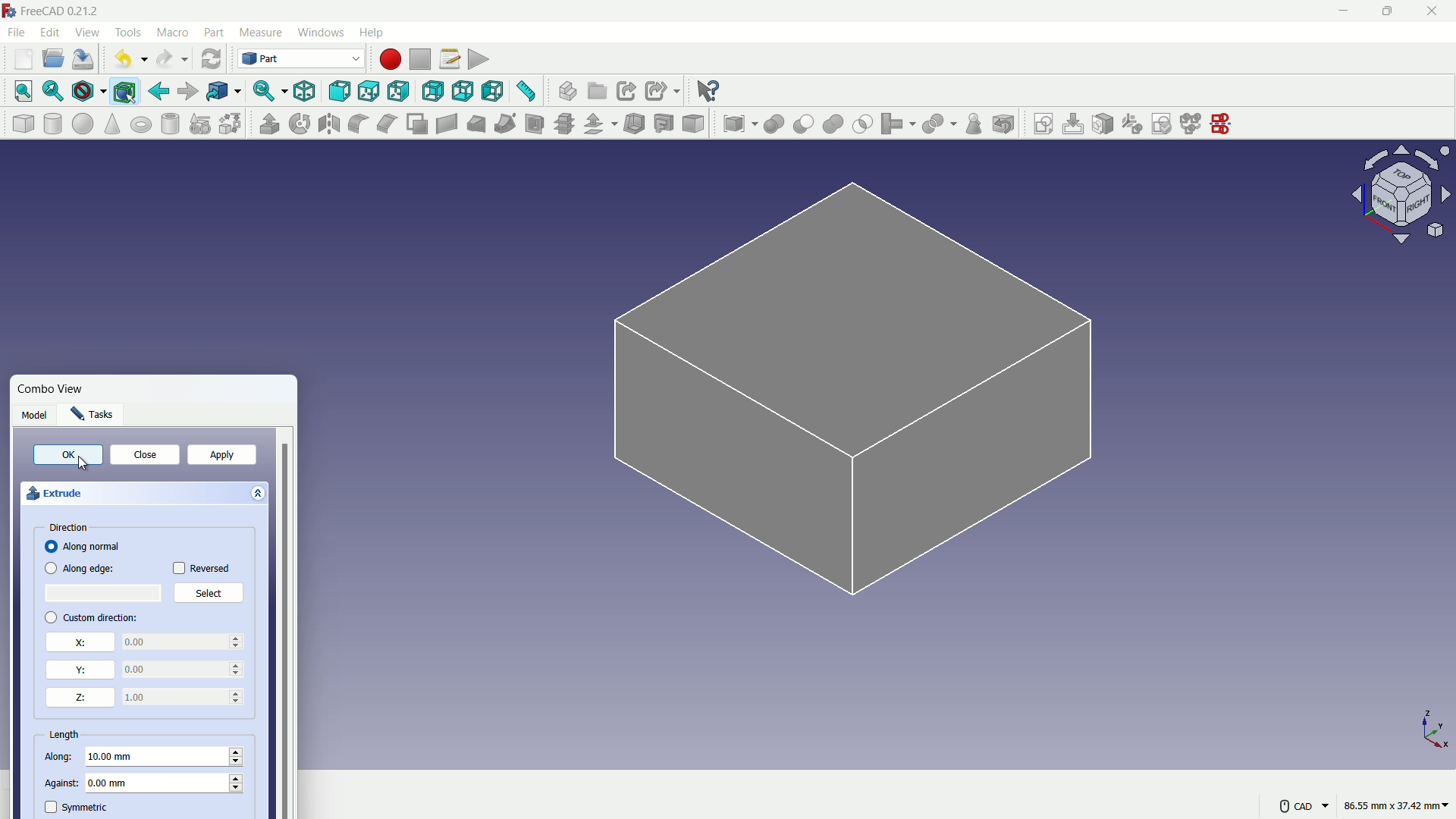  I want to click on union, so click(834, 125).